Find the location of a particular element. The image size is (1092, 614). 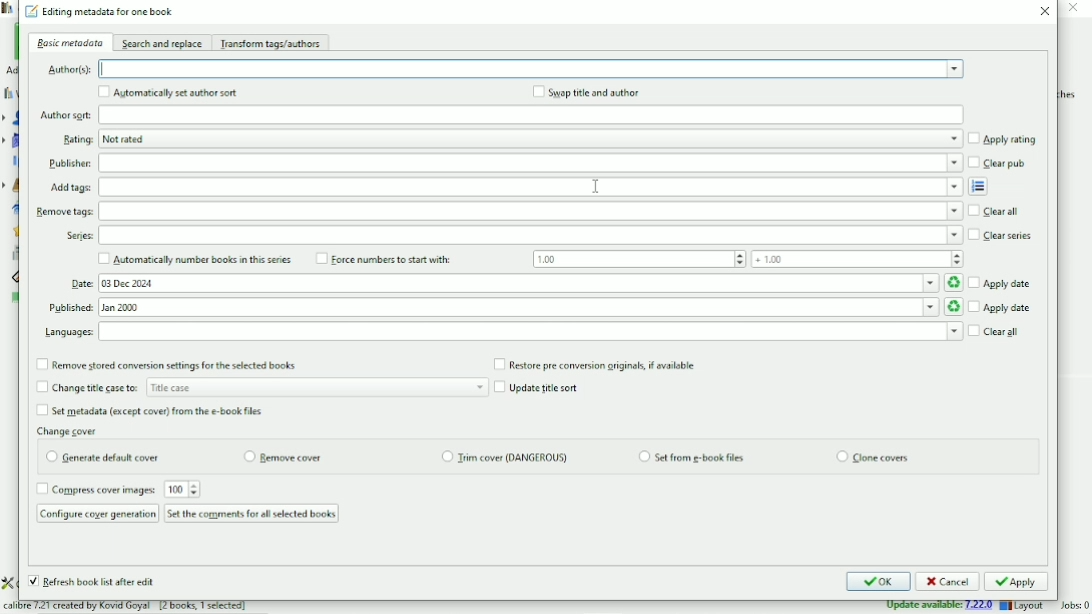

Refresh book list after edit is located at coordinates (92, 583).